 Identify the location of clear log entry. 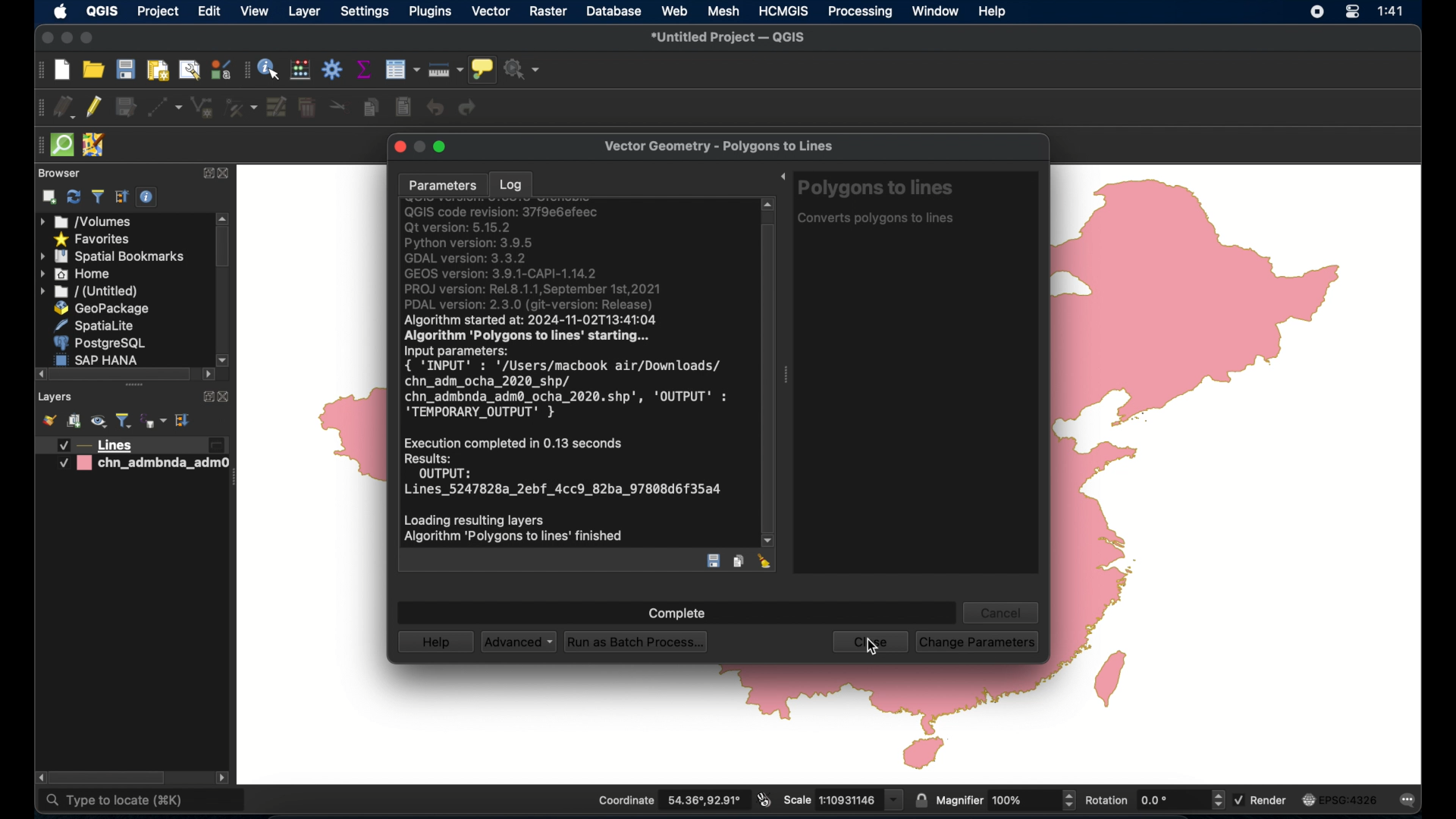
(766, 560).